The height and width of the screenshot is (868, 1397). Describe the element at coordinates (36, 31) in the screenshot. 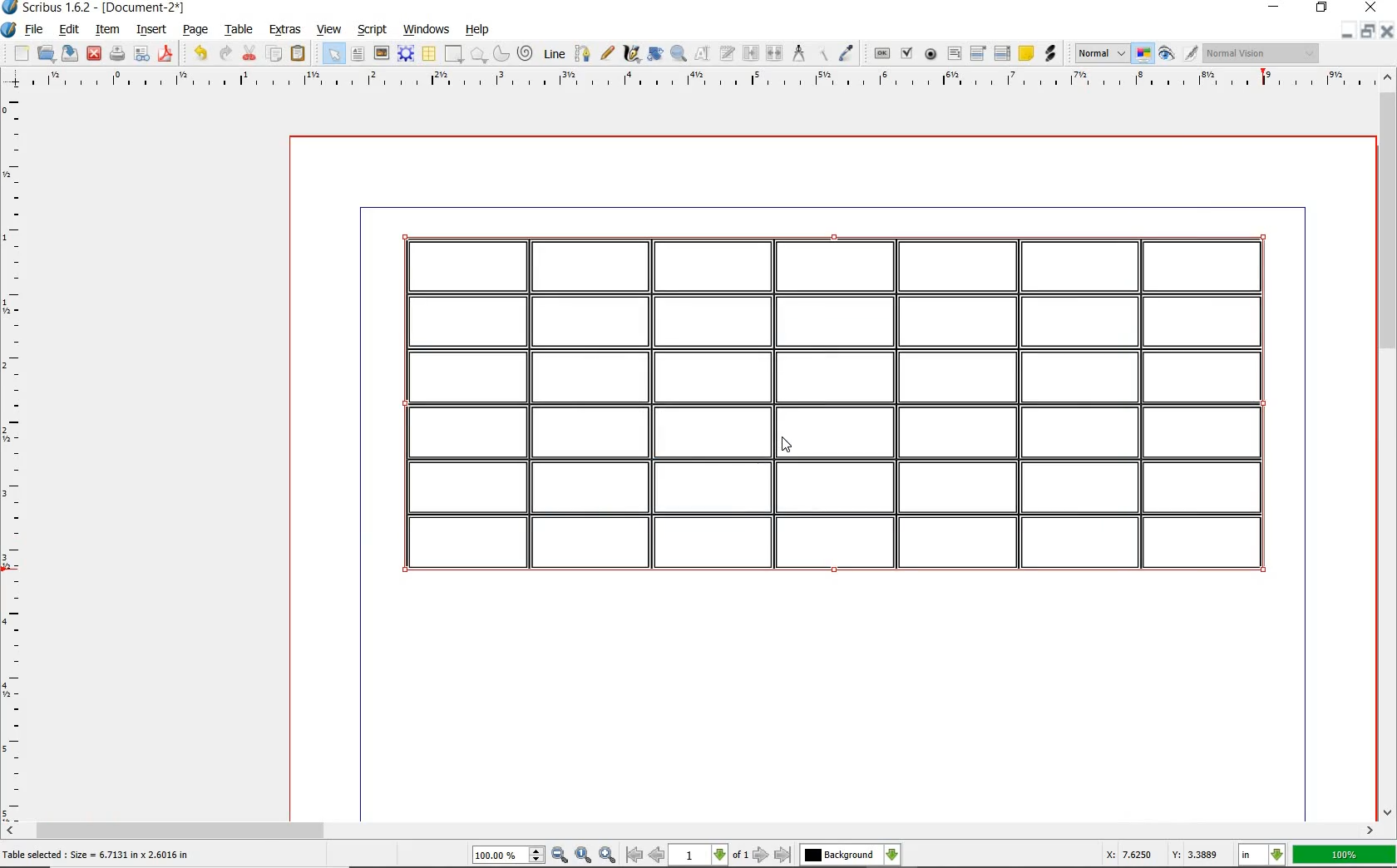

I see `file` at that location.